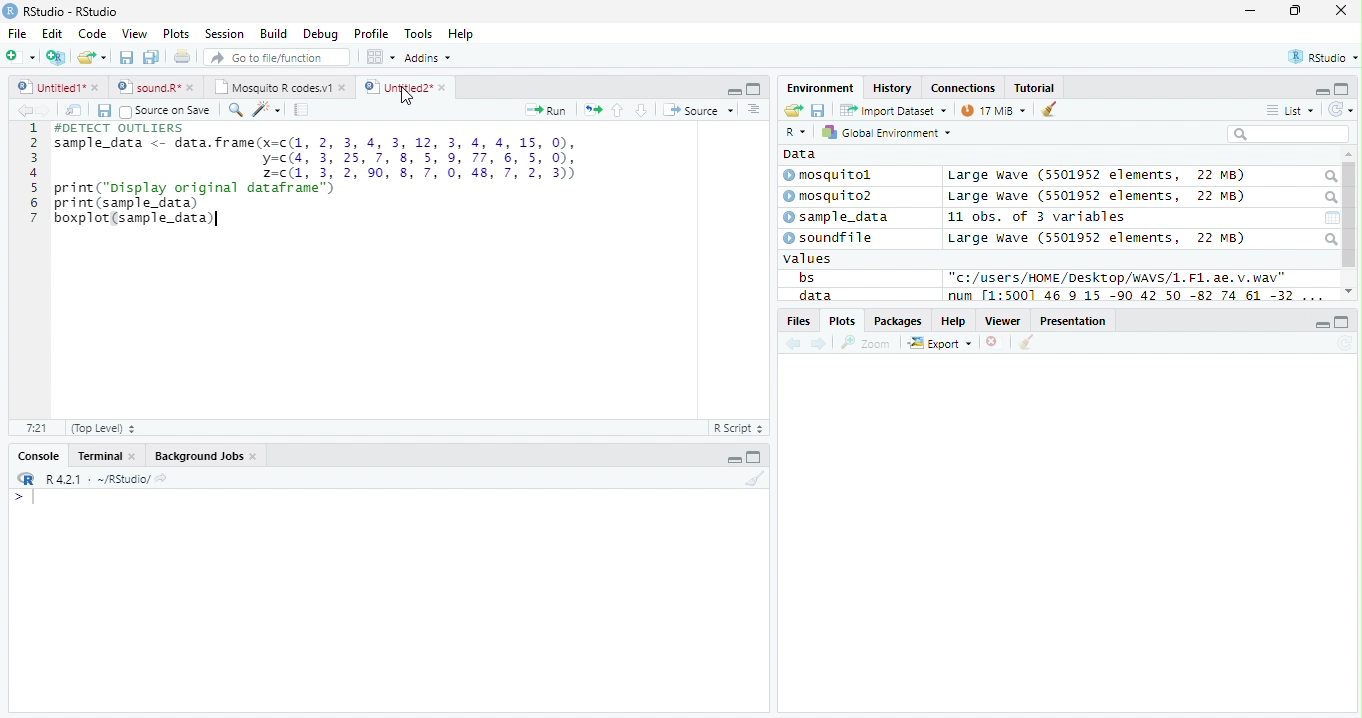  I want to click on View, so click(136, 33).